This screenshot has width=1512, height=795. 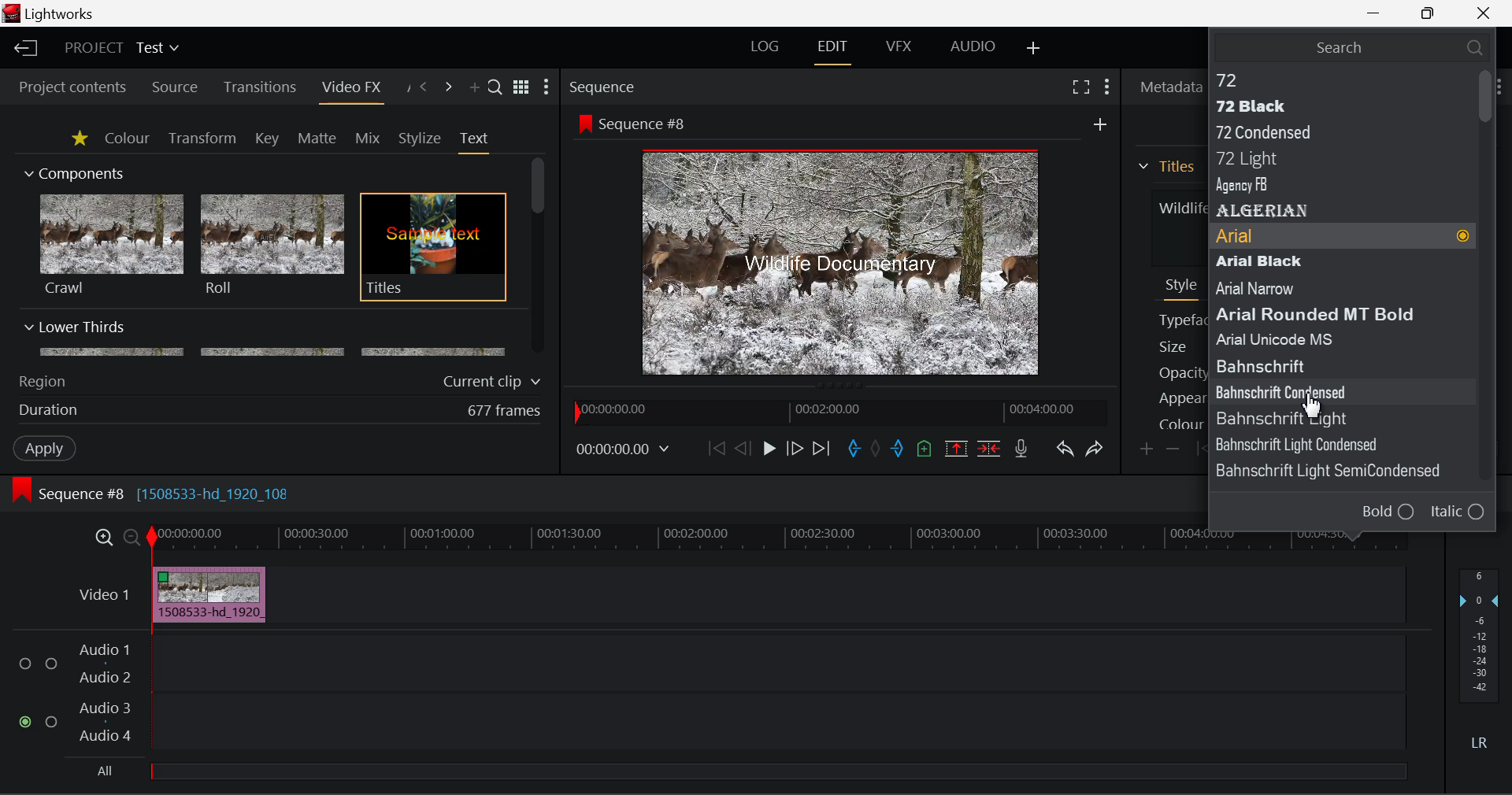 I want to click on Remove keyframe, so click(x=1173, y=451).